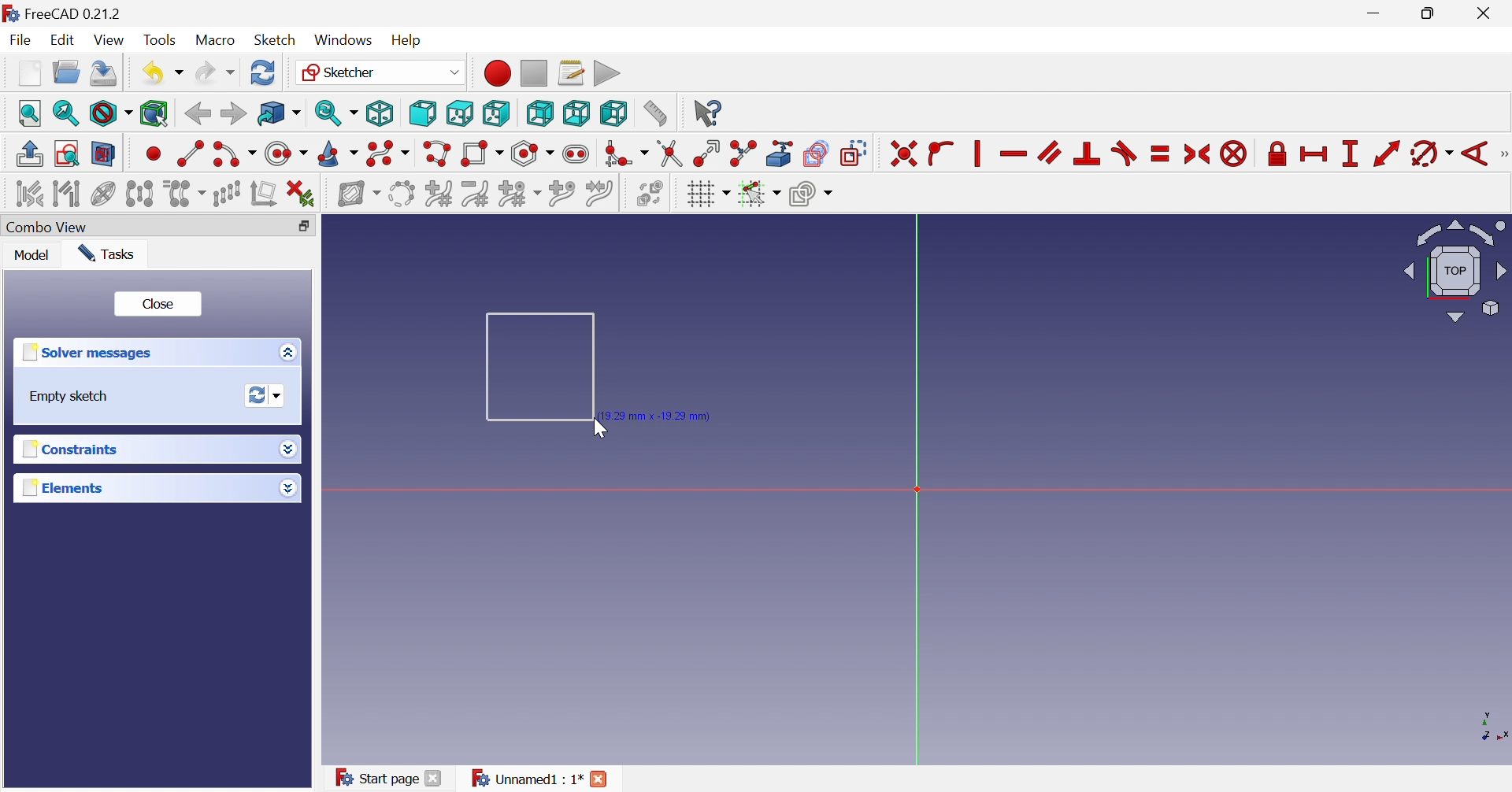 The image size is (1512, 792). Describe the element at coordinates (339, 155) in the screenshot. I see `Create conic` at that location.